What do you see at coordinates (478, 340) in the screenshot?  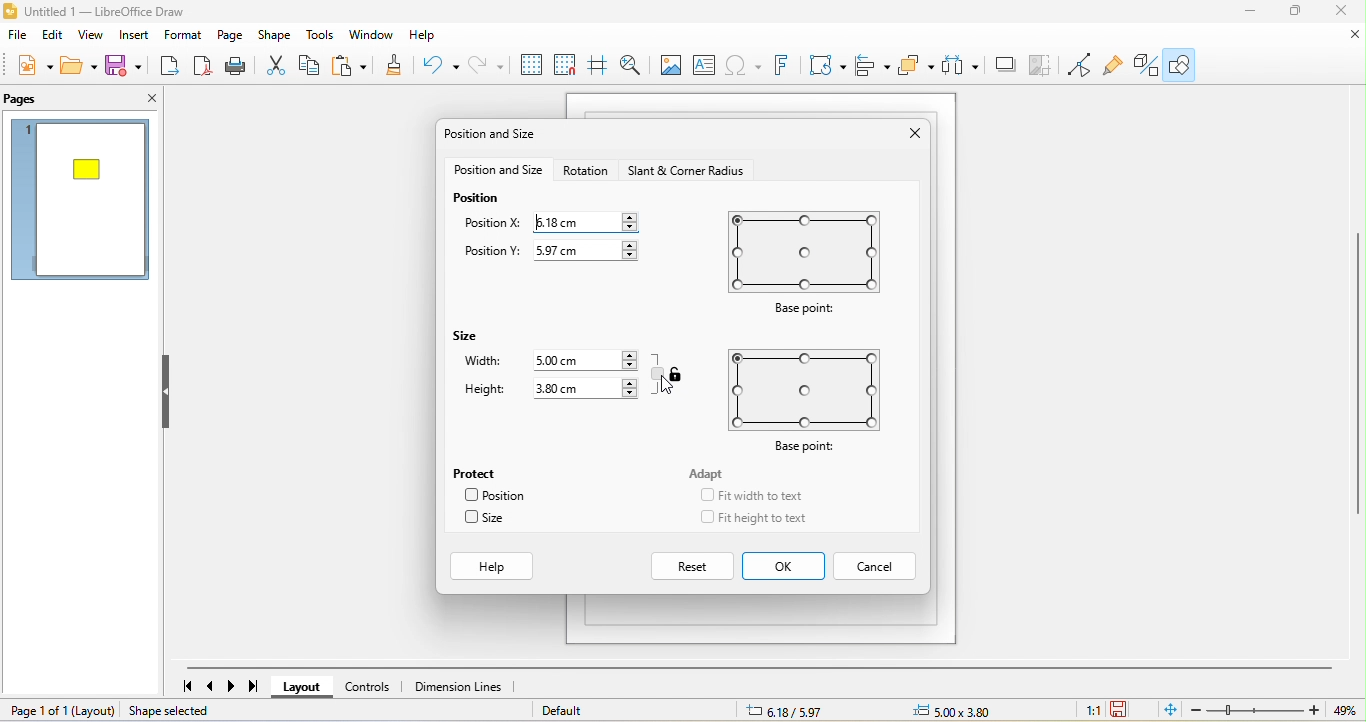 I see `size` at bounding box center [478, 340].